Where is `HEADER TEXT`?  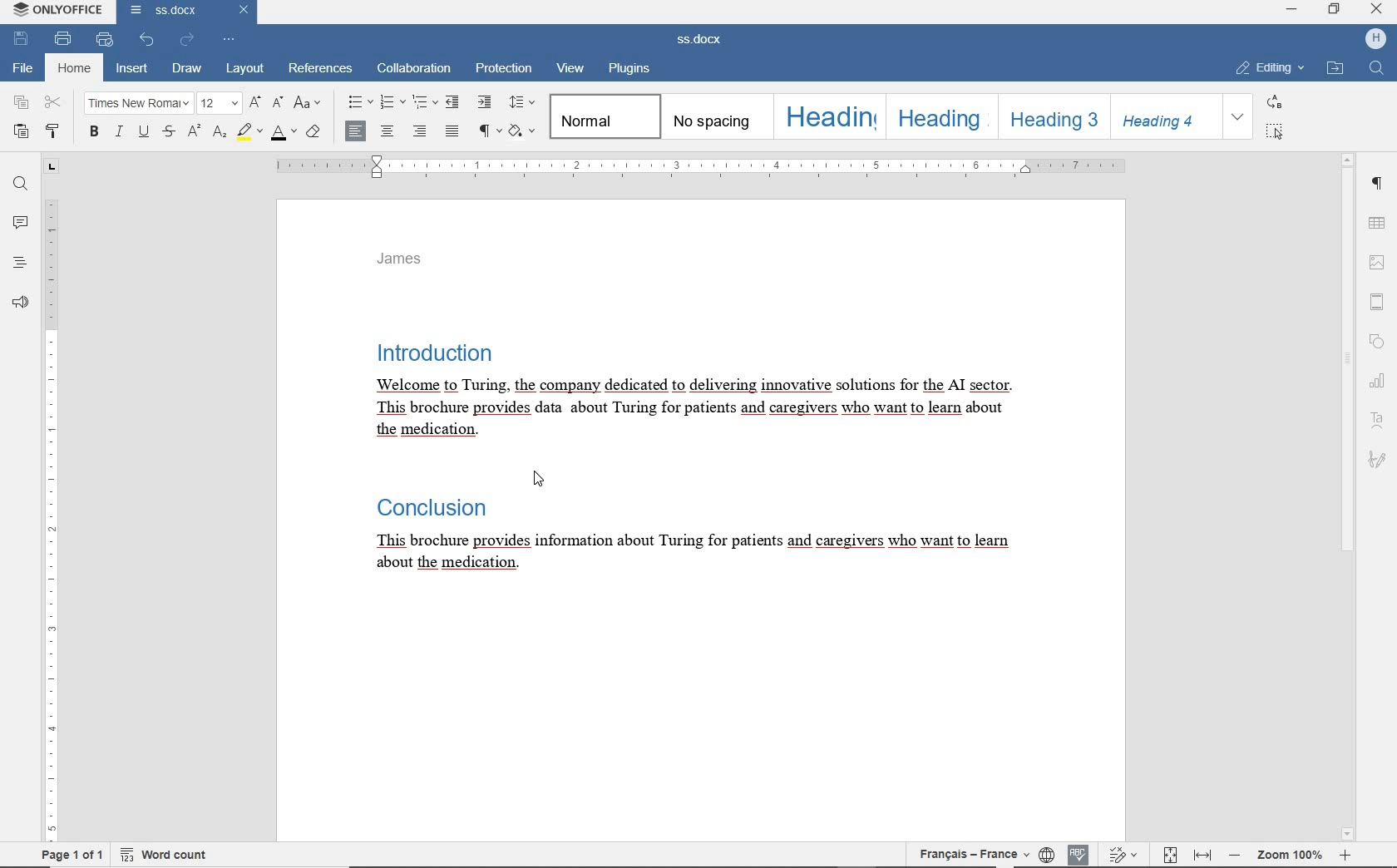
HEADER TEXT is located at coordinates (408, 262).